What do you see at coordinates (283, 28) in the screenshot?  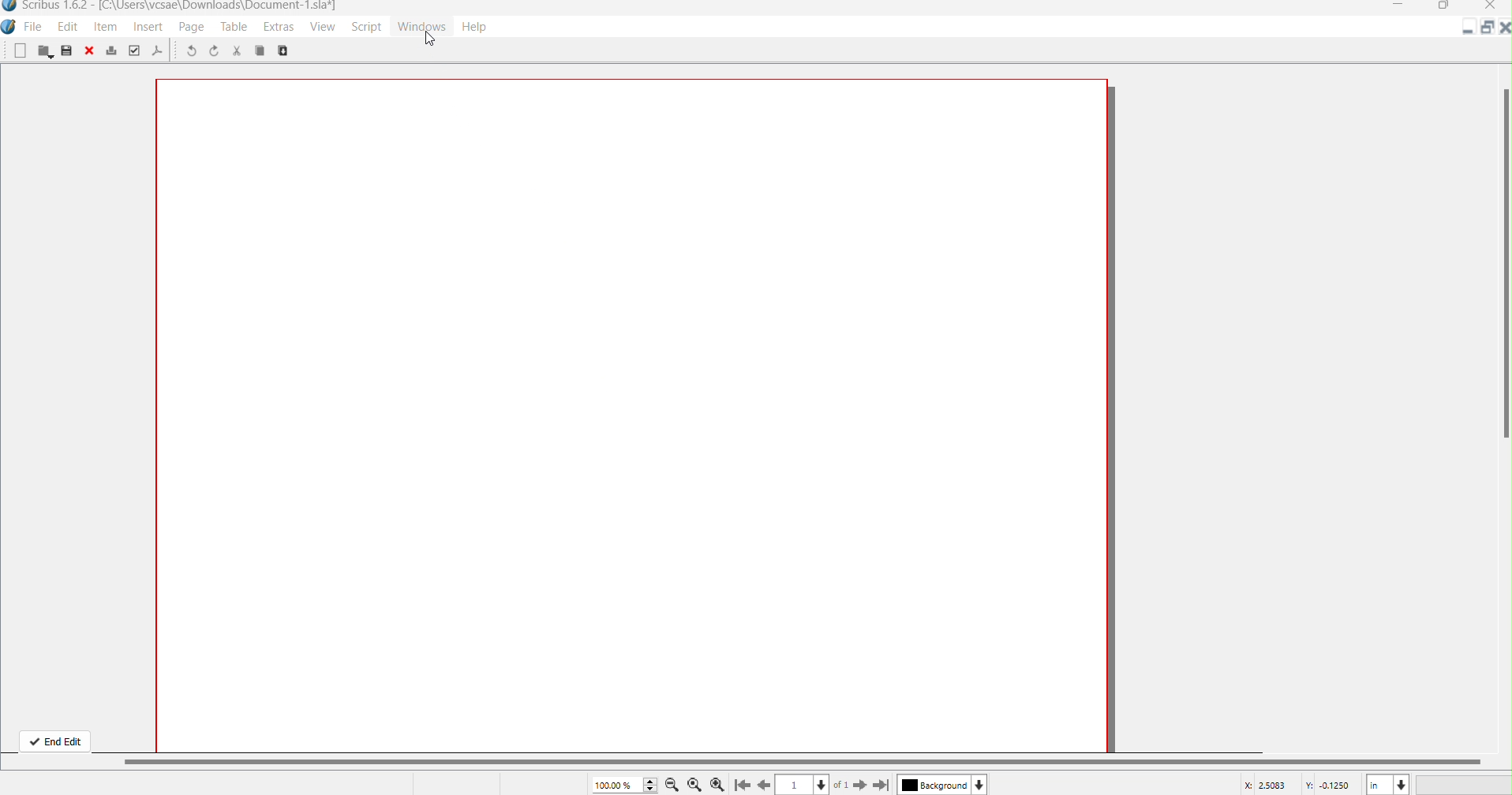 I see `` at bounding box center [283, 28].